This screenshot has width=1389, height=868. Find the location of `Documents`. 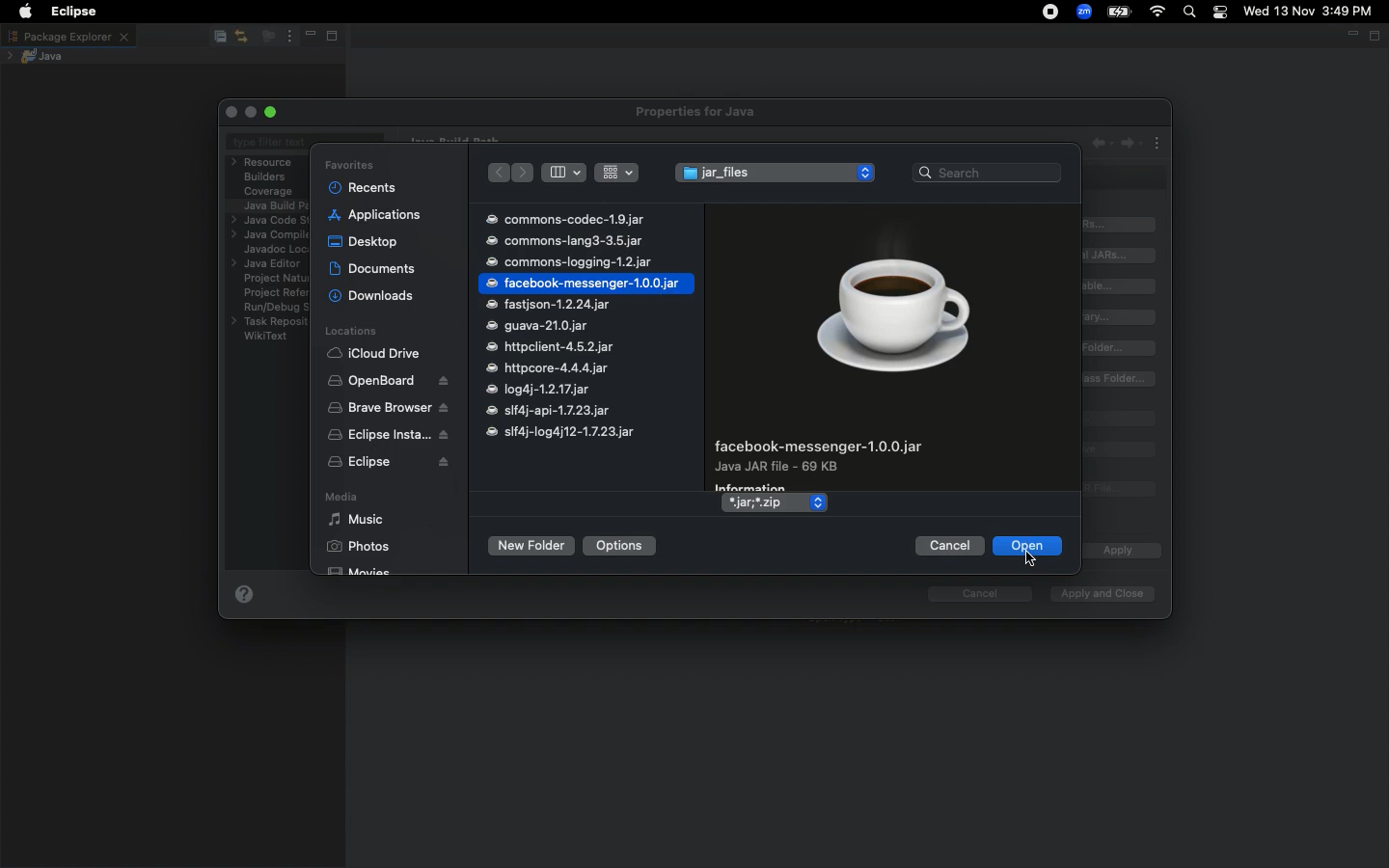

Documents is located at coordinates (374, 268).